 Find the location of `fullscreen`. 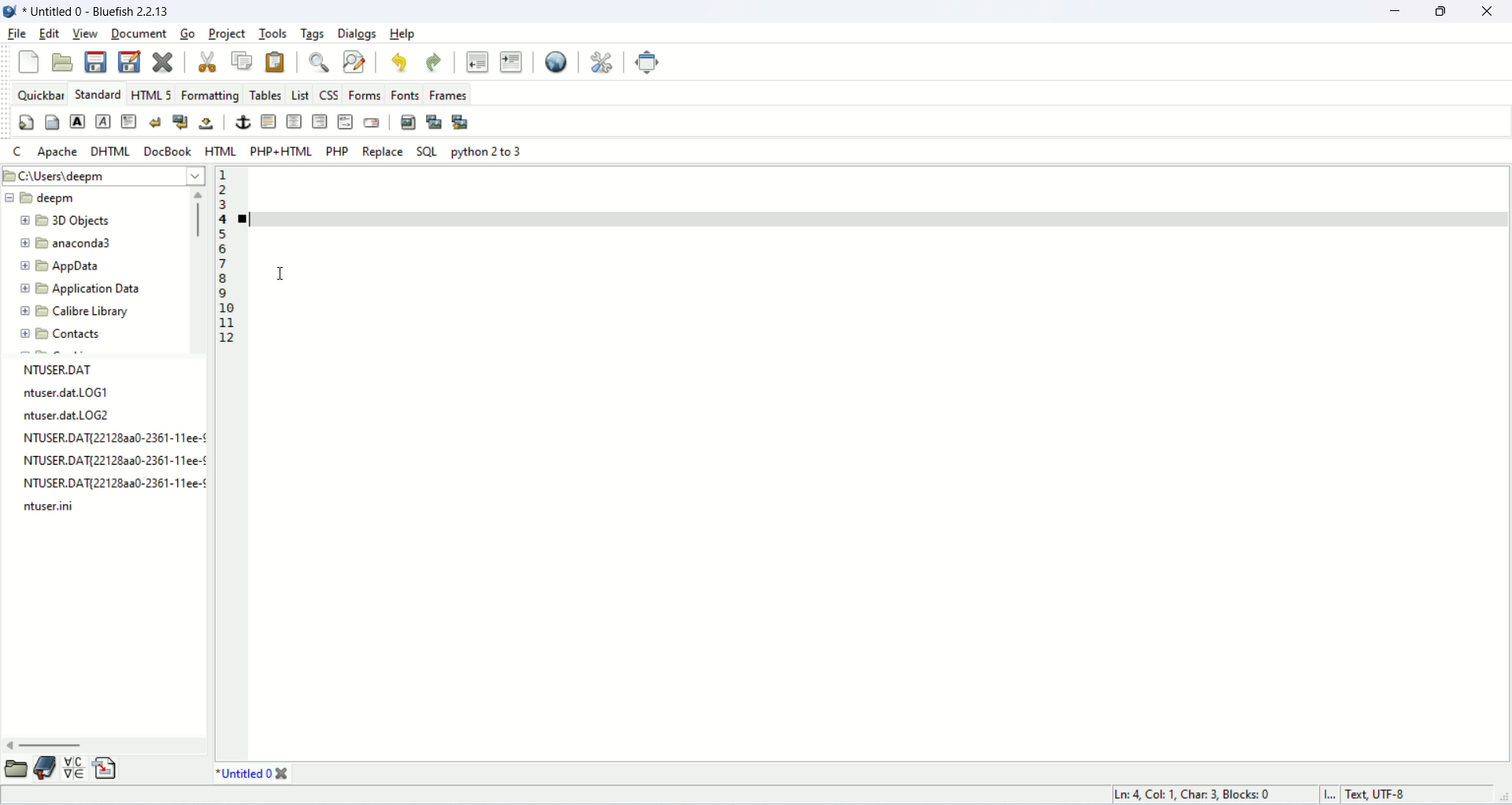

fullscreen is located at coordinates (648, 61).